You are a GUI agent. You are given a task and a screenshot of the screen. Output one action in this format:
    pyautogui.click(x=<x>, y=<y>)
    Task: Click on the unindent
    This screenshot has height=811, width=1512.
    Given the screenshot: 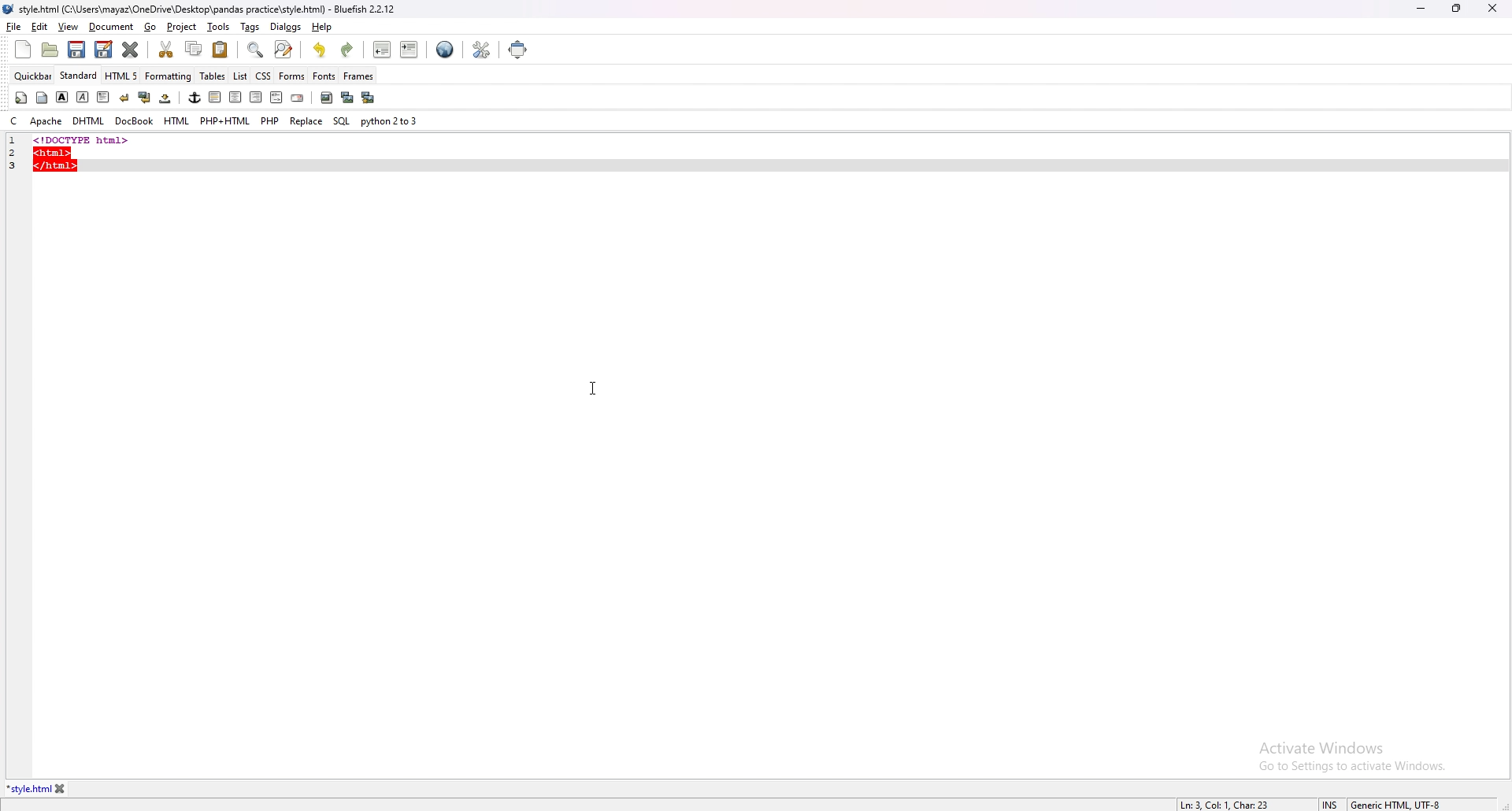 What is the action you would take?
    pyautogui.click(x=383, y=50)
    